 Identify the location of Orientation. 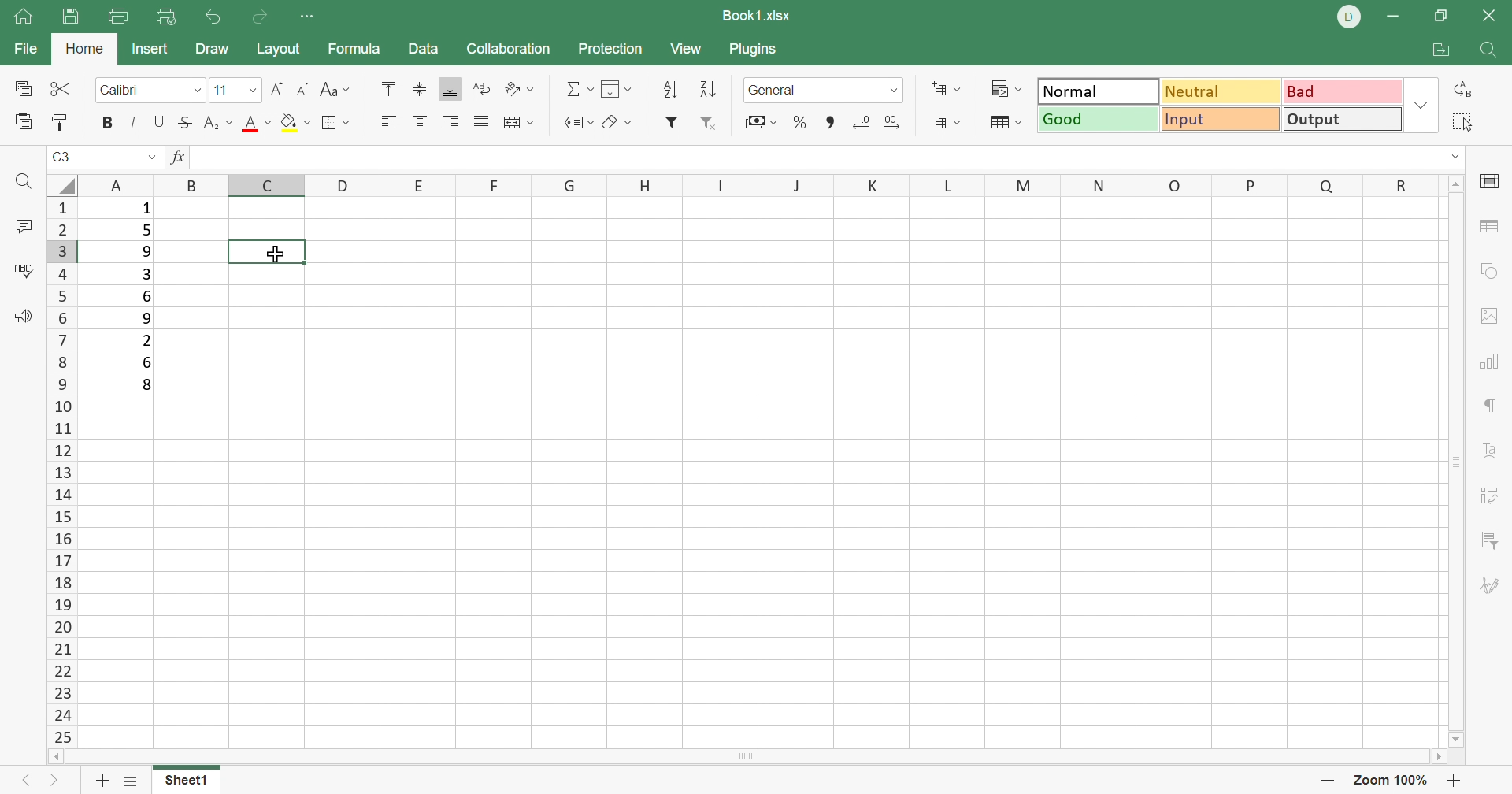
(521, 86).